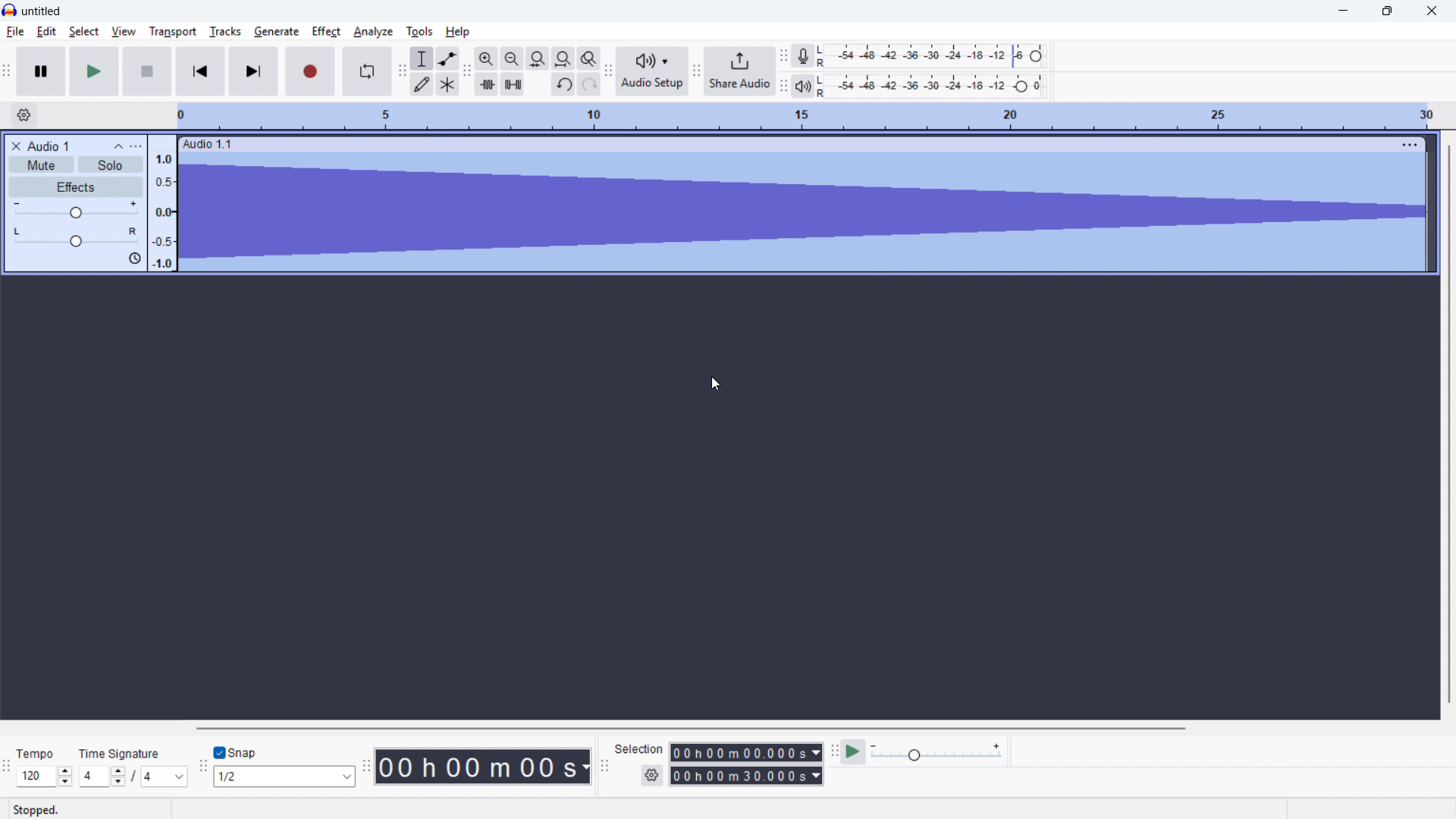 This screenshot has height=819, width=1456. What do you see at coordinates (467, 73) in the screenshot?
I see `Edit toolbar ` at bounding box center [467, 73].